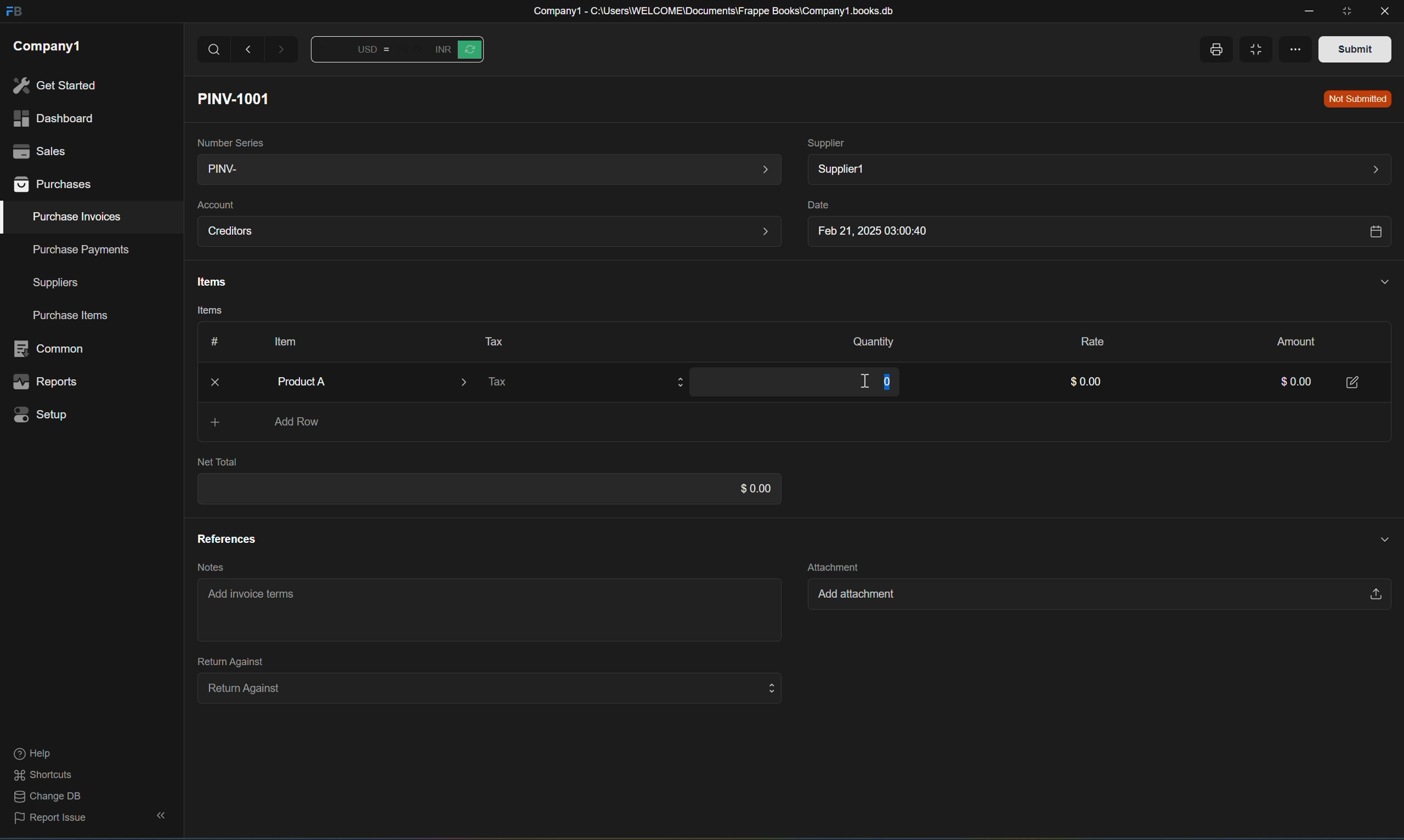  Describe the element at coordinates (1355, 48) in the screenshot. I see `Submit` at that location.